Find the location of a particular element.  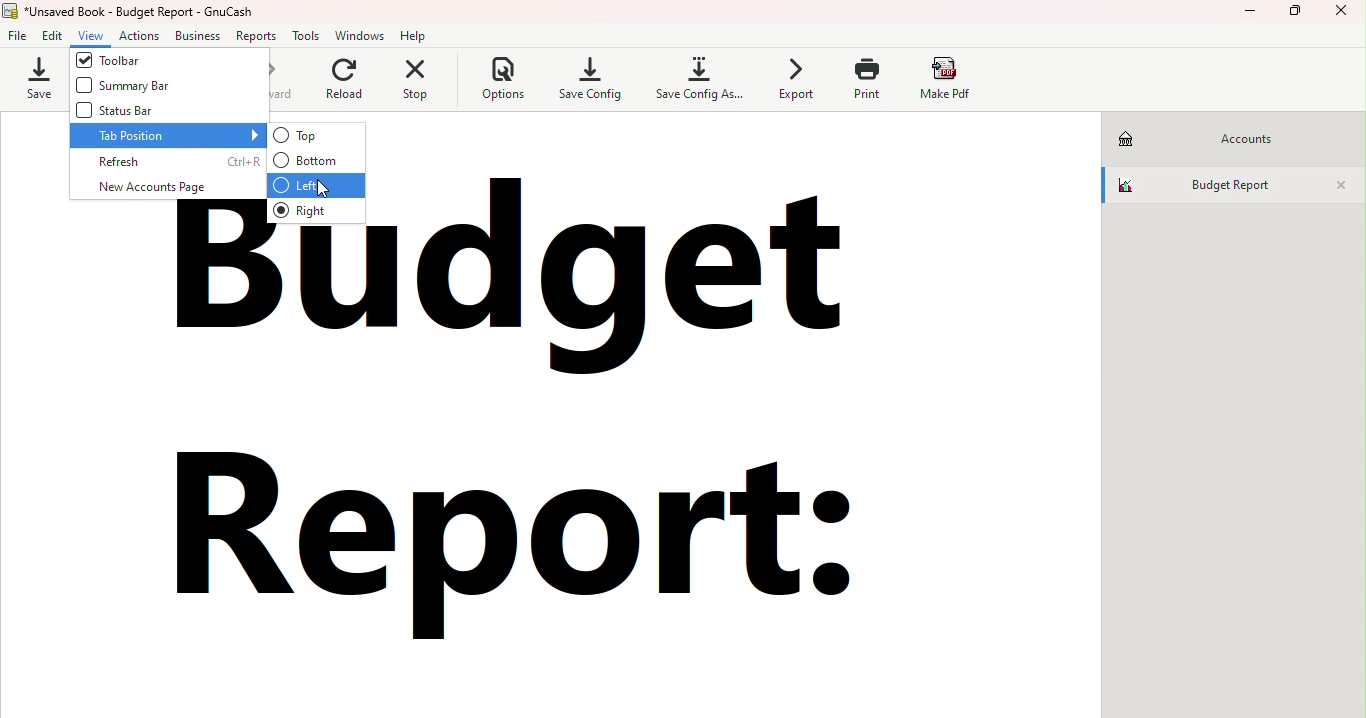

Tools is located at coordinates (308, 36).